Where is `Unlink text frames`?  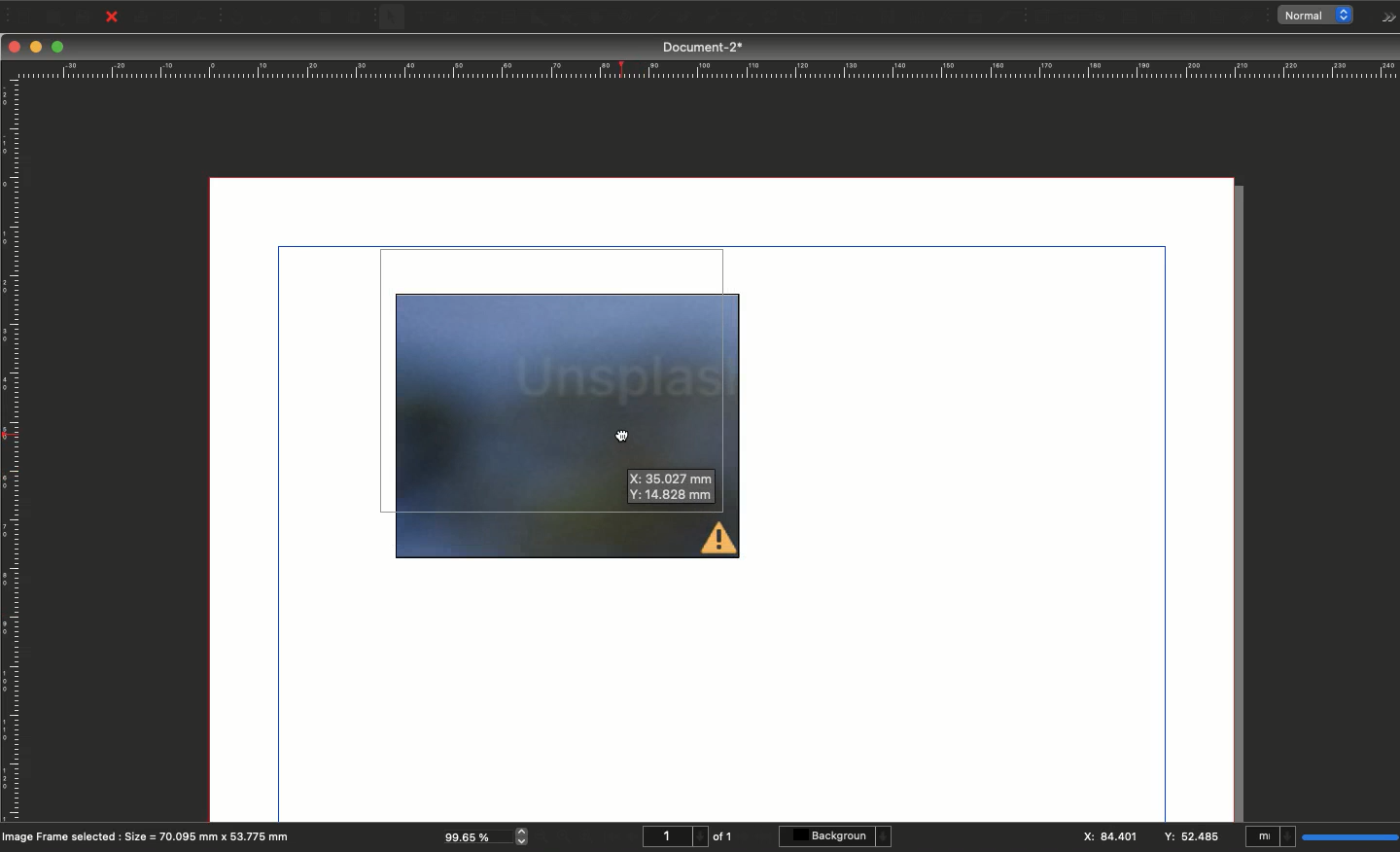 Unlink text frames is located at coordinates (911, 17).